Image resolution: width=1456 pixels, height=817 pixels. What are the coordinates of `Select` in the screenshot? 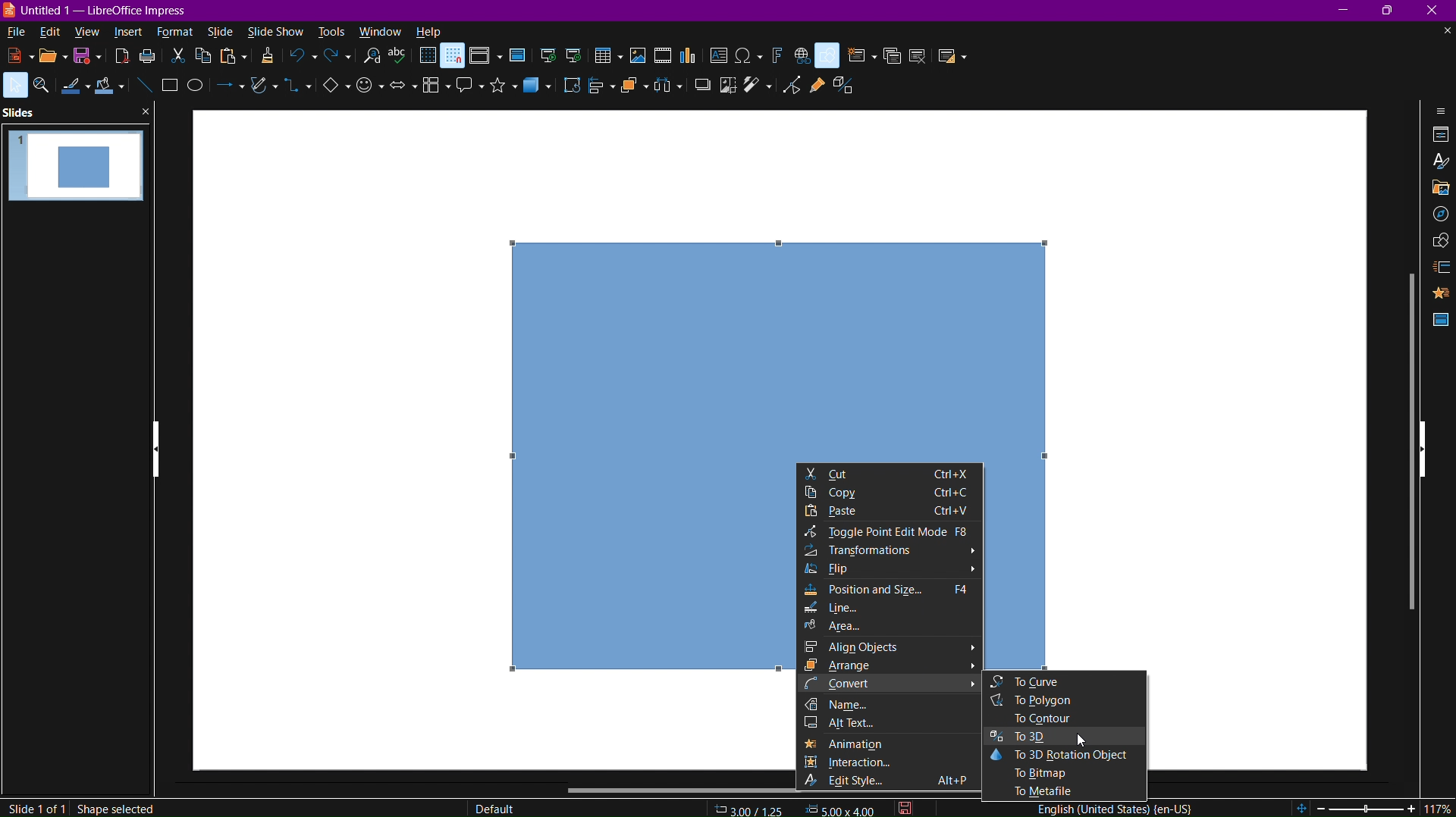 It's located at (14, 86).